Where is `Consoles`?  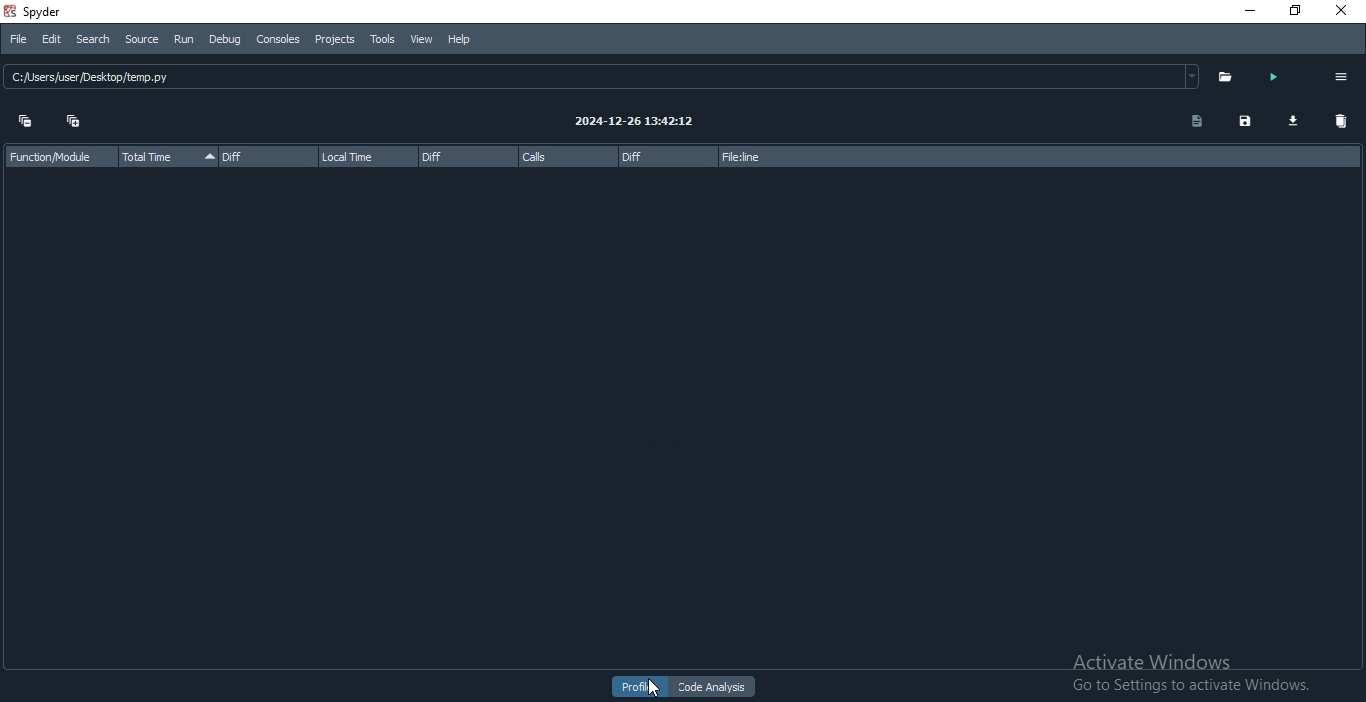 Consoles is located at coordinates (278, 42).